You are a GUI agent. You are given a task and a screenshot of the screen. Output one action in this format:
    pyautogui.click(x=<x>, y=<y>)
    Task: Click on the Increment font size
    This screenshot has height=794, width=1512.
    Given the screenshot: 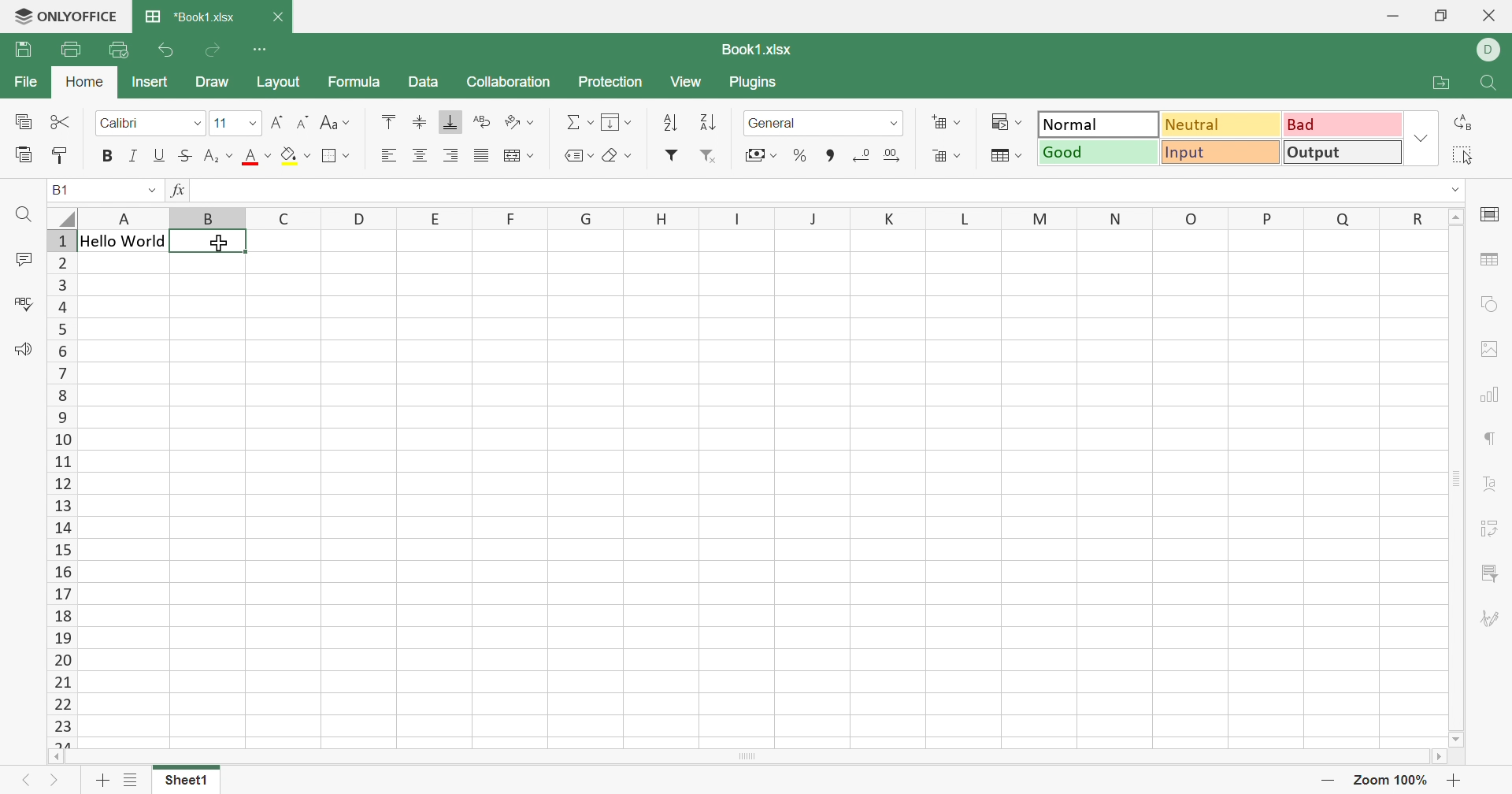 What is the action you would take?
    pyautogui.click(x=276, y=124)
    